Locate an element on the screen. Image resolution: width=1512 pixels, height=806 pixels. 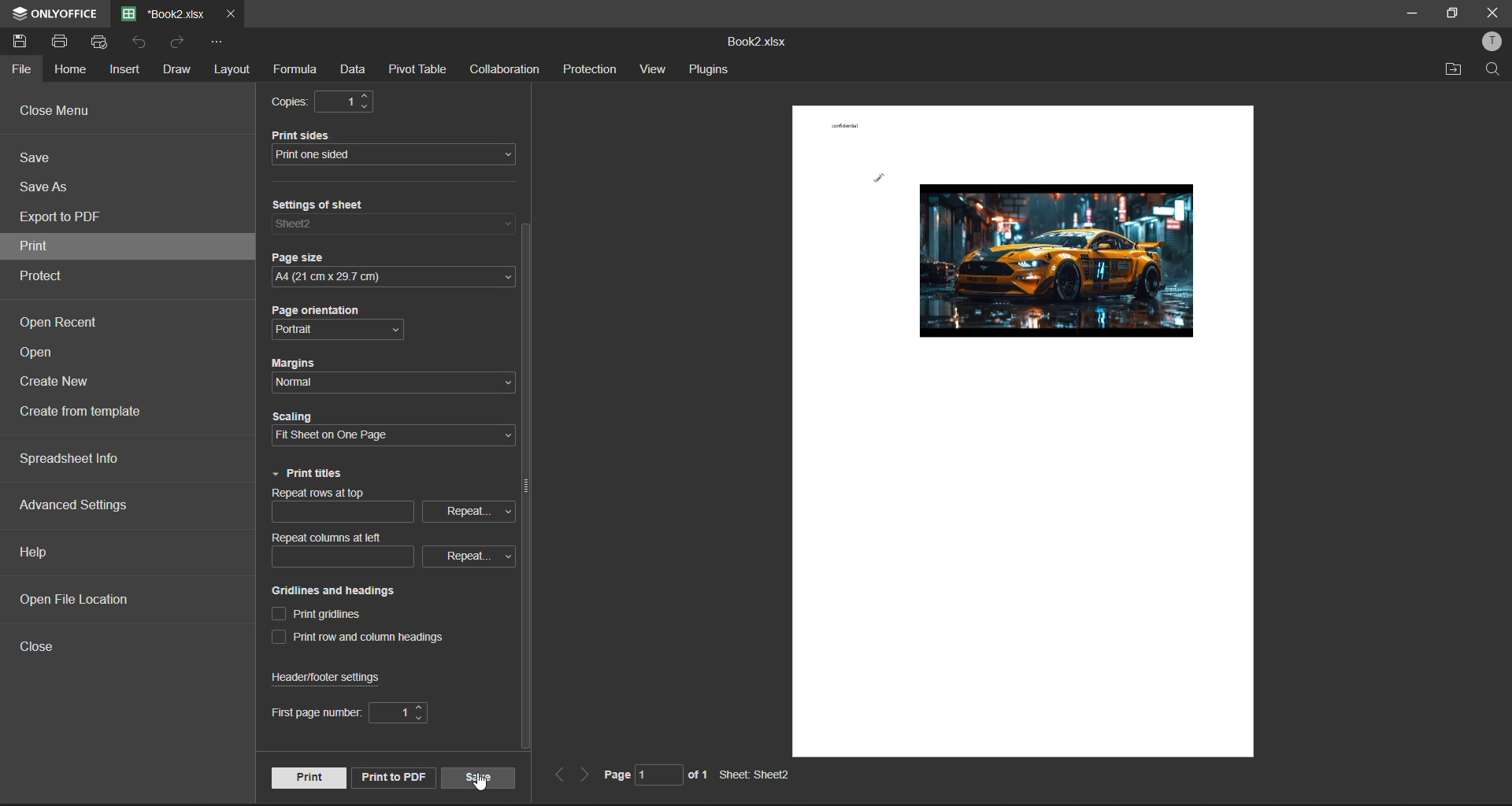
header/footer settings is located at coordinates (335, 677).